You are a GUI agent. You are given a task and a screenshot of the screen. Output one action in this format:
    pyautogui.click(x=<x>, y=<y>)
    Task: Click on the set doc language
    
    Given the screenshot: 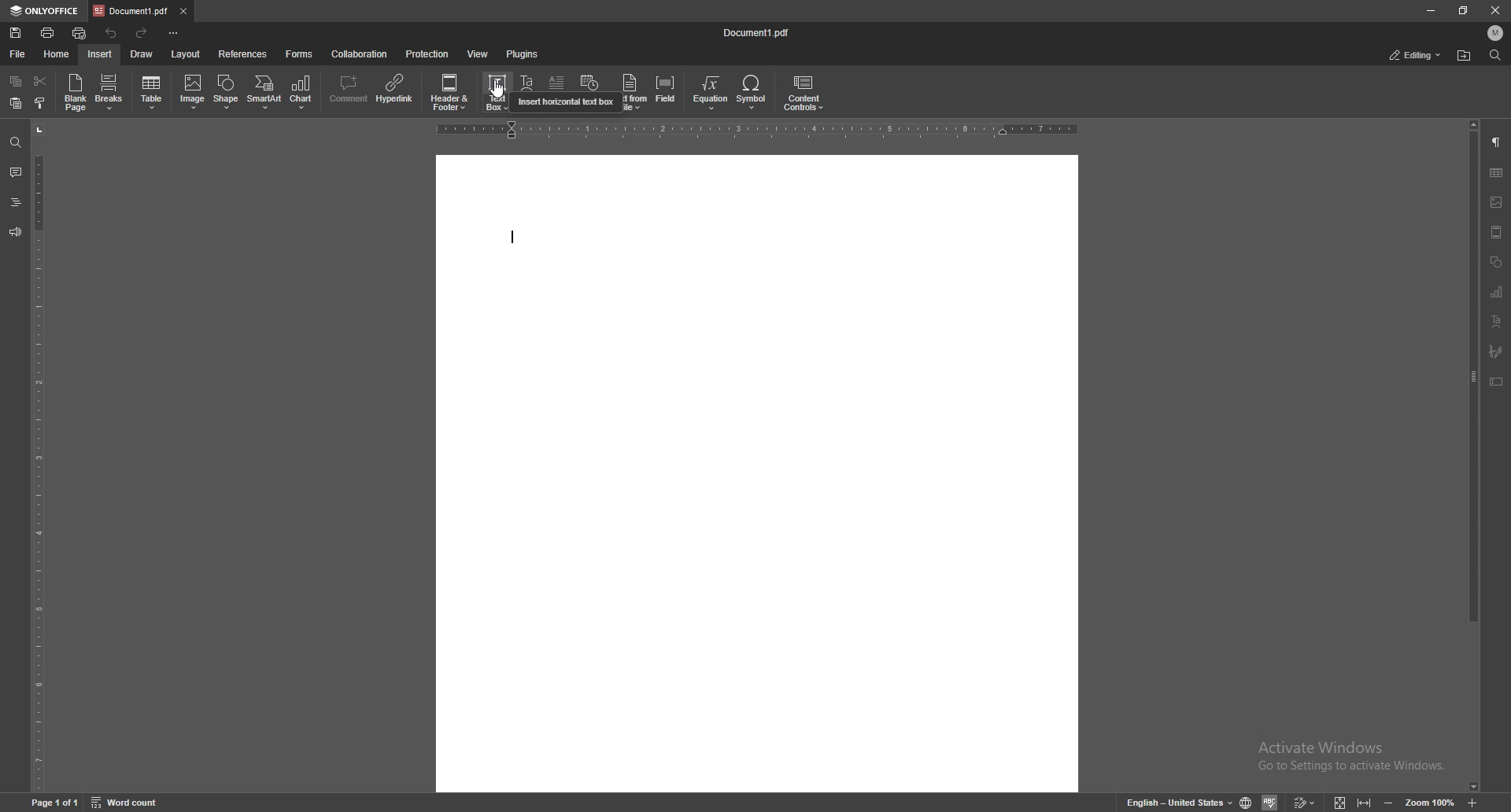 What is the action you would take?
    pyautogui.click(x=1247, y=803)
    